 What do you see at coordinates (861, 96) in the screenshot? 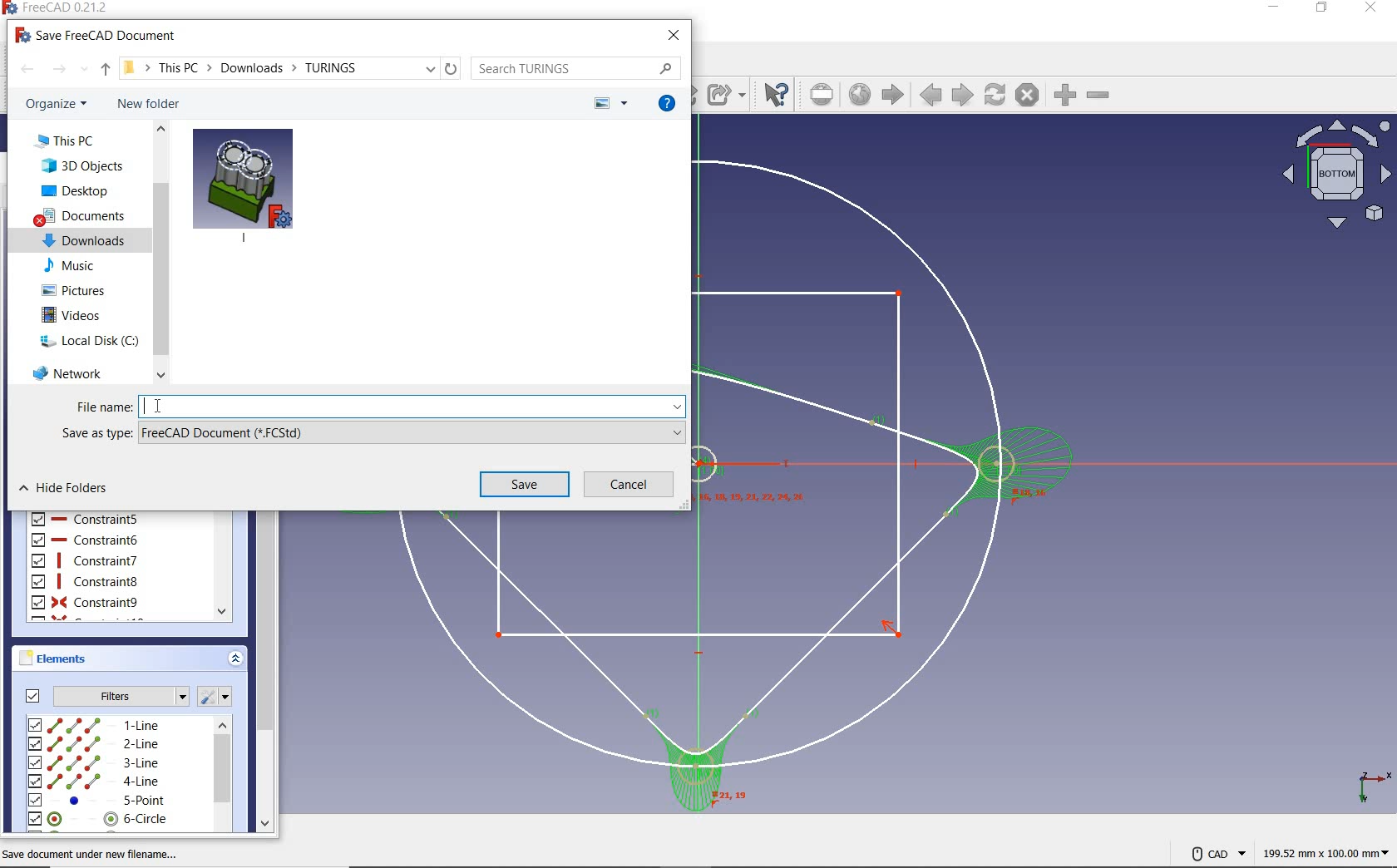
I see `open website` at bounding box center [861, 96].